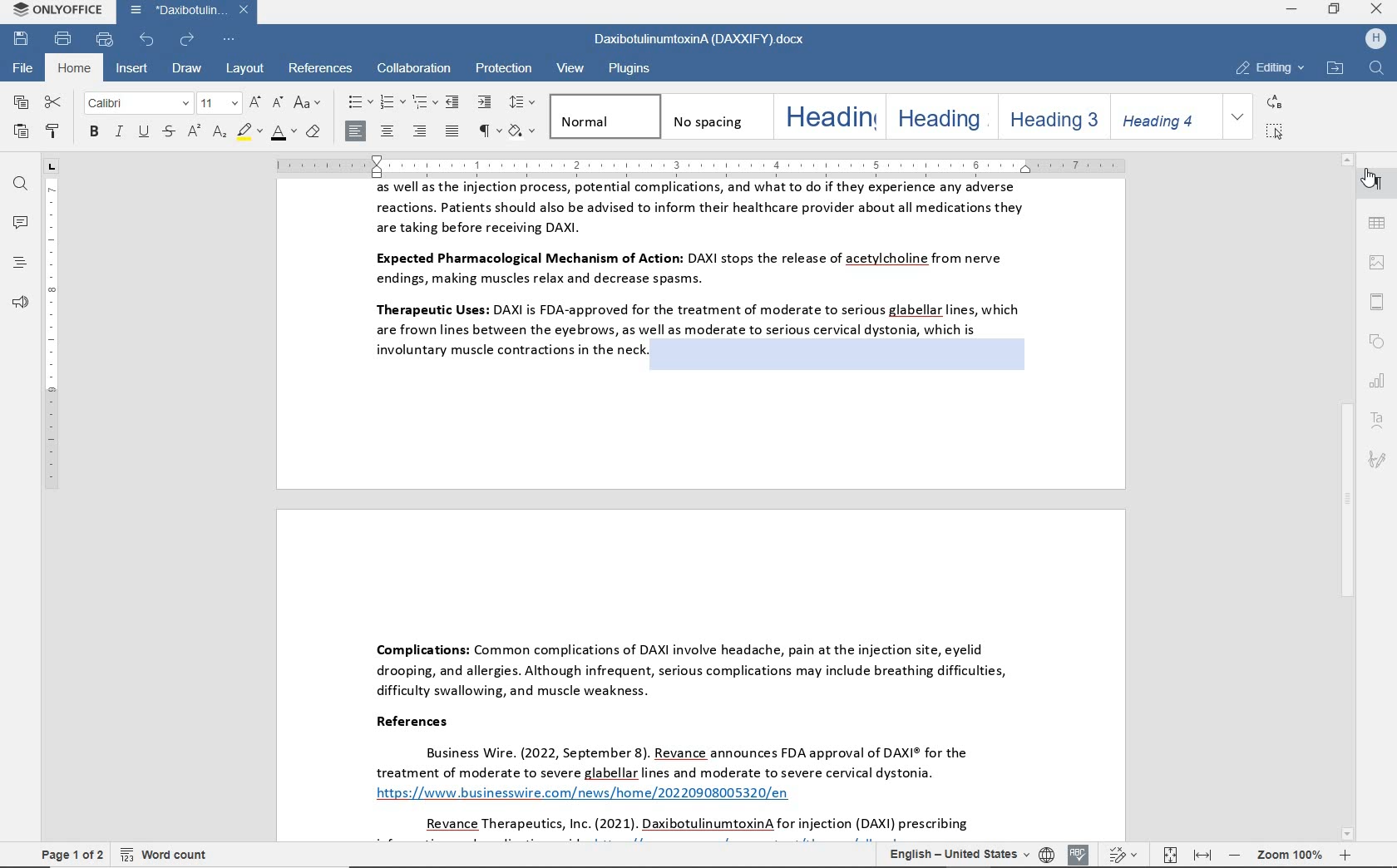 The height and width of the screenshot is (868, 1397). I want to click on feedback & support, so click(17, 303).